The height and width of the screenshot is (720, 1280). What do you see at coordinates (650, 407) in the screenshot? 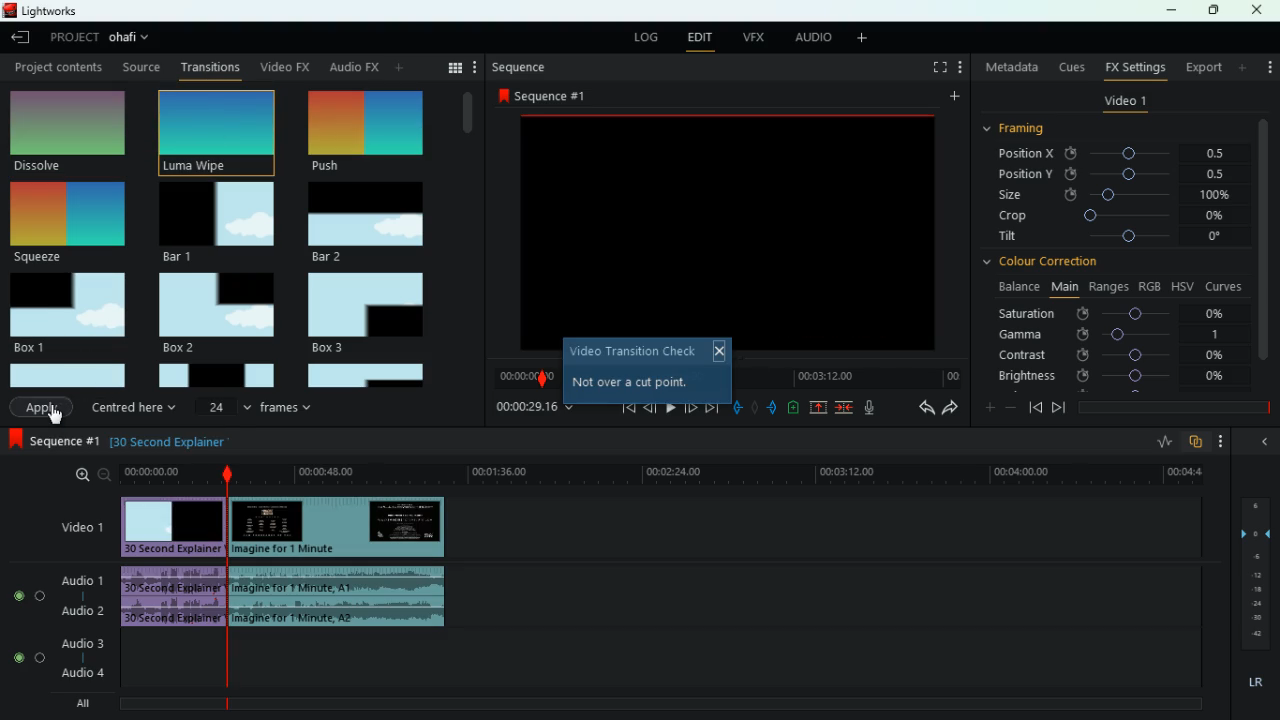
I see `back` at bounding box center [650, 407].